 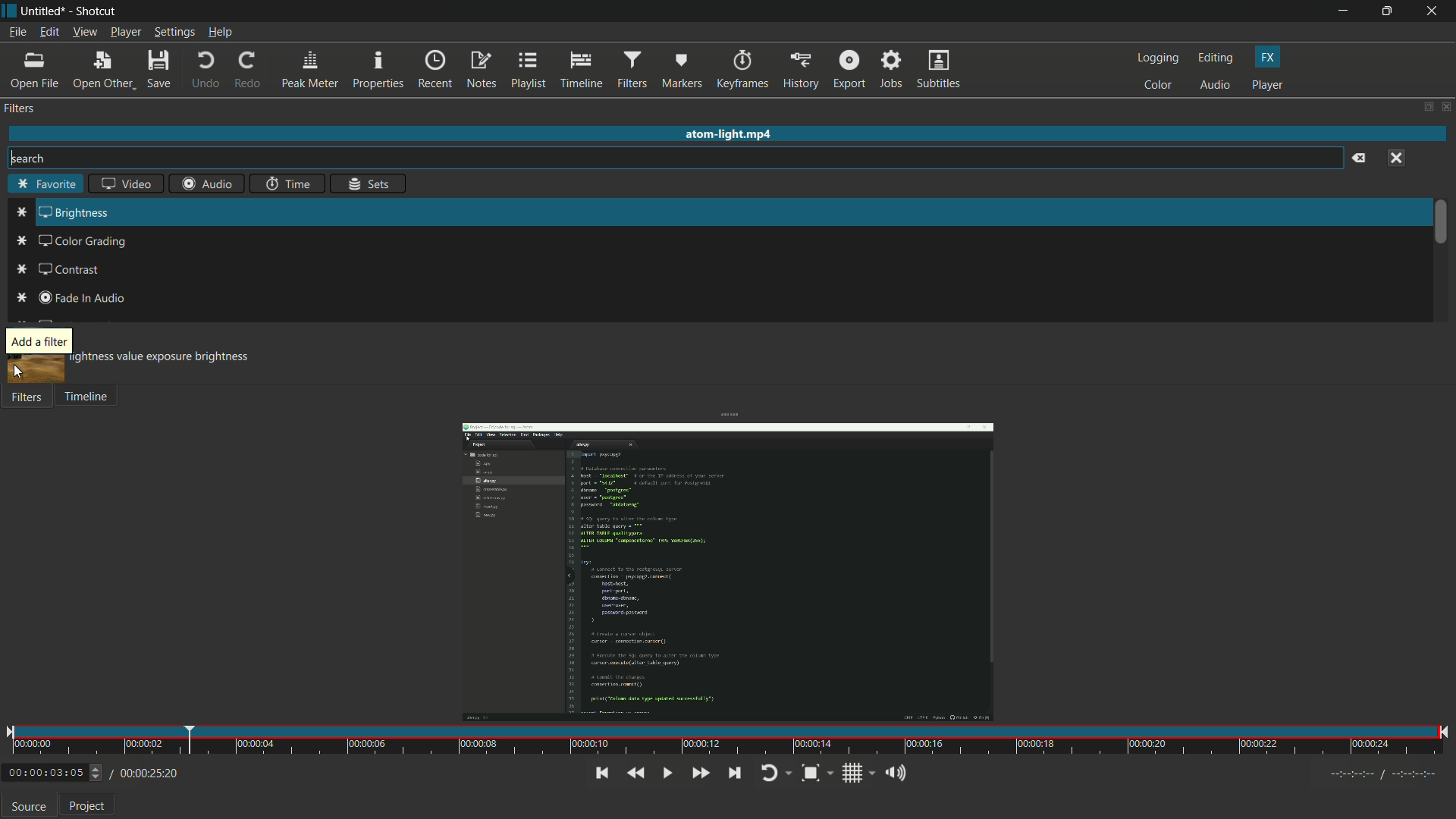 I want to click on favorite, so click(x=42, y=185).